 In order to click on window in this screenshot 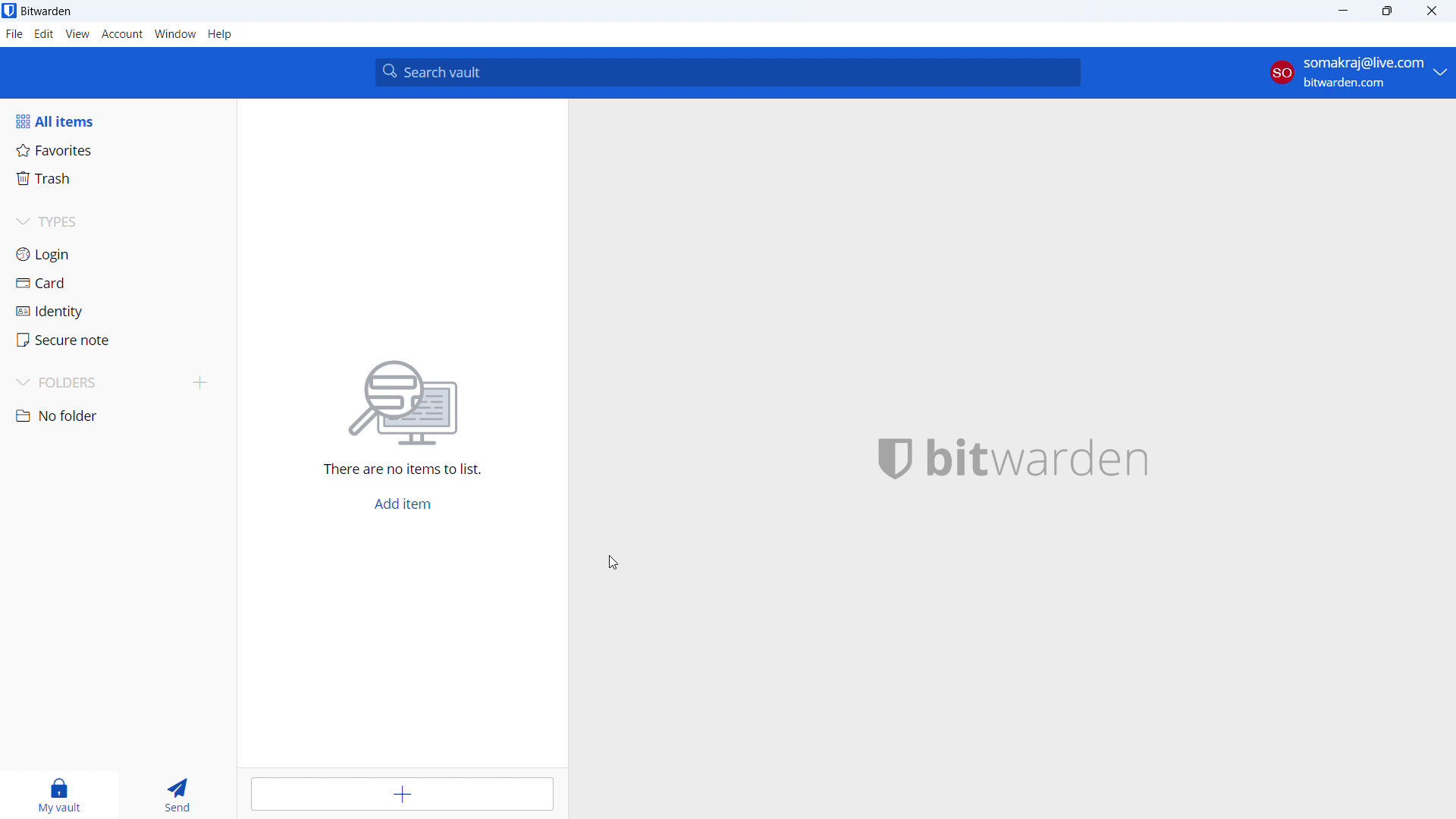, I will do `click(175, 34)`.